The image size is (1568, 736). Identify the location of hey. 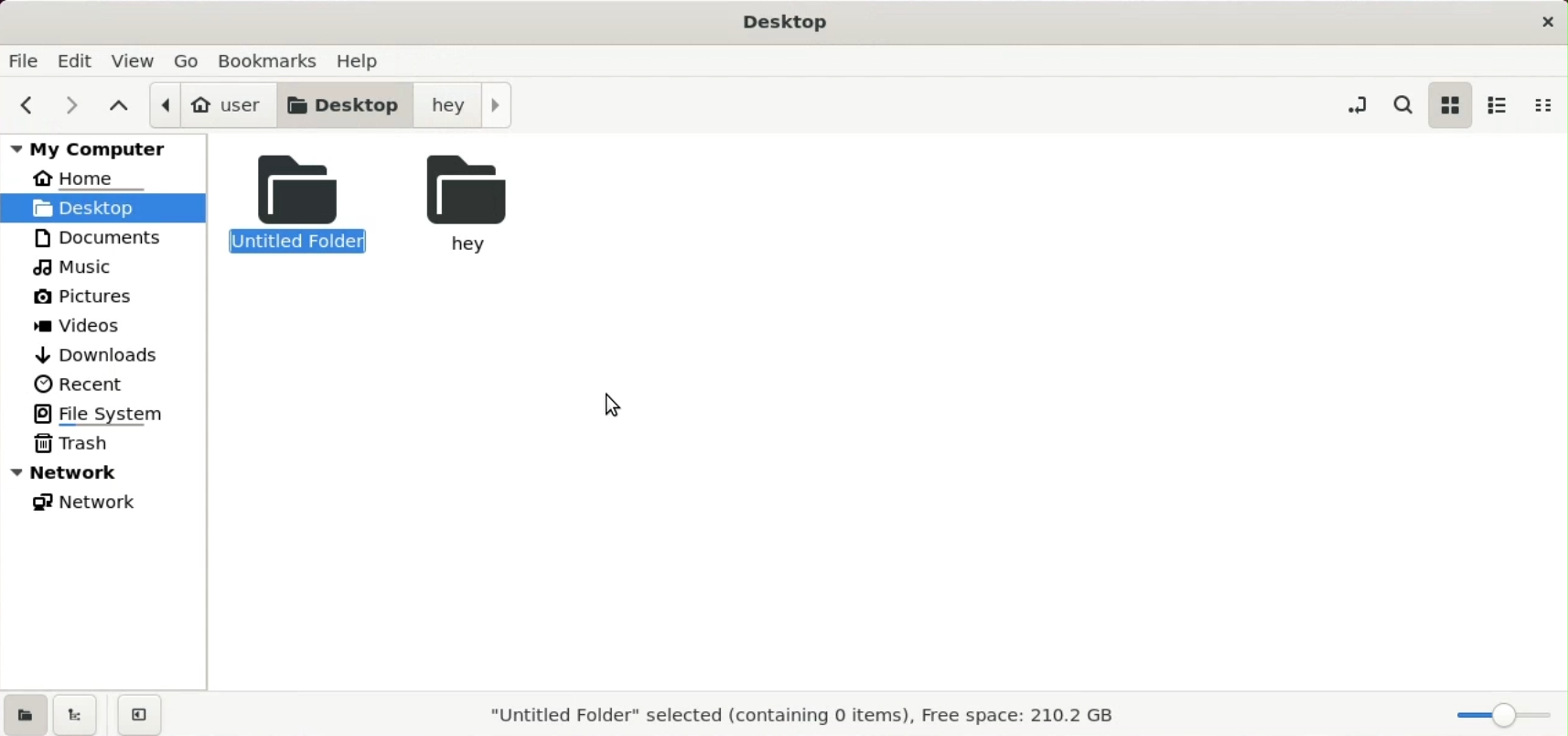
(467, 206).